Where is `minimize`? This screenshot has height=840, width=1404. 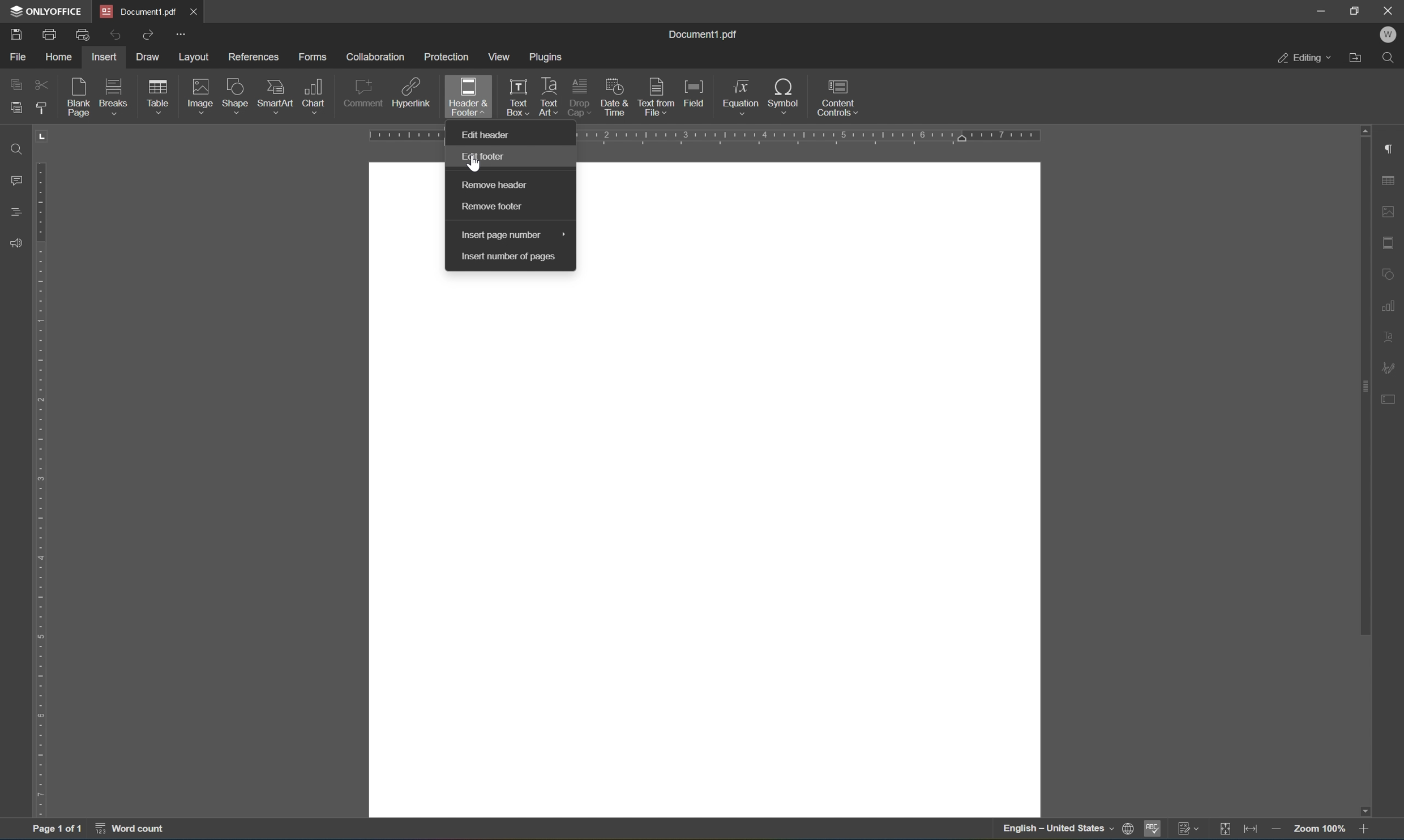 minimize is located at coordinates (1321, 10).